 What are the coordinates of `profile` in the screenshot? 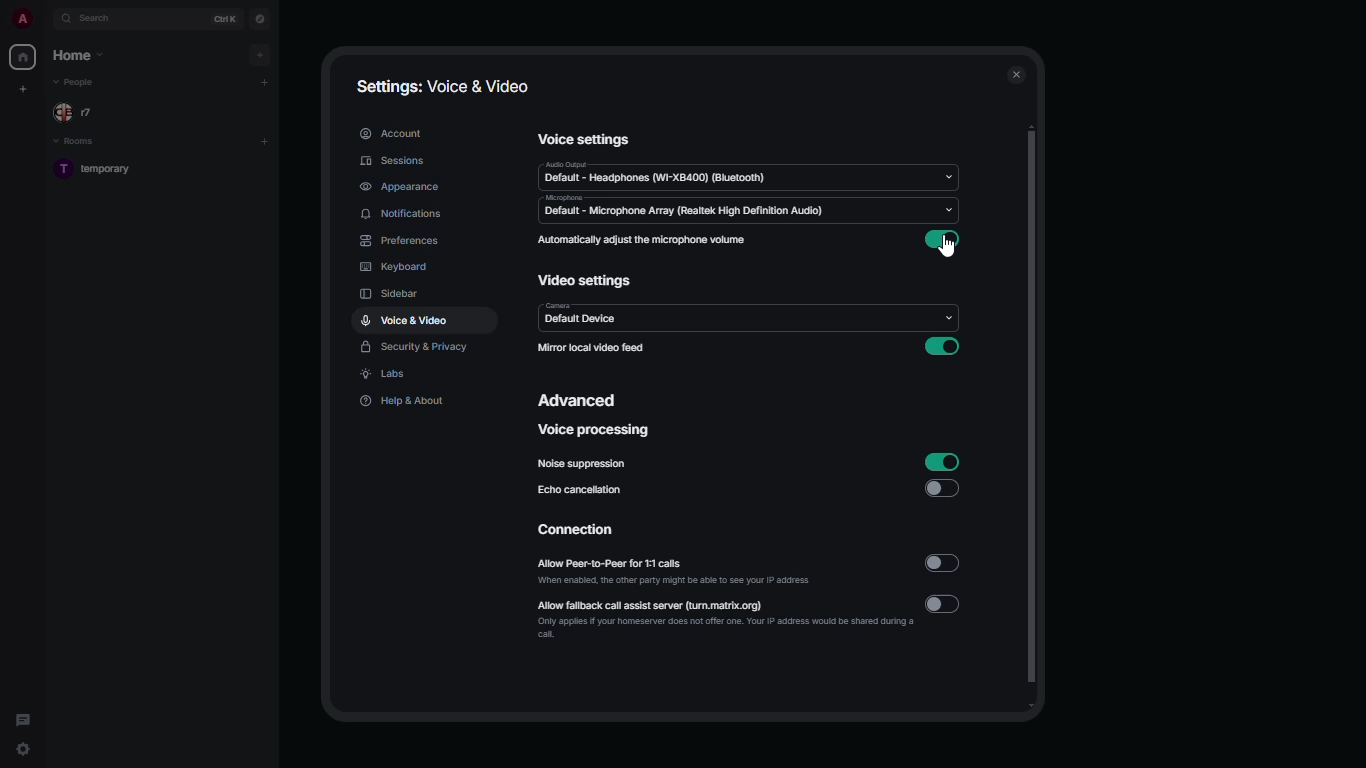 It's located at (21, 18).